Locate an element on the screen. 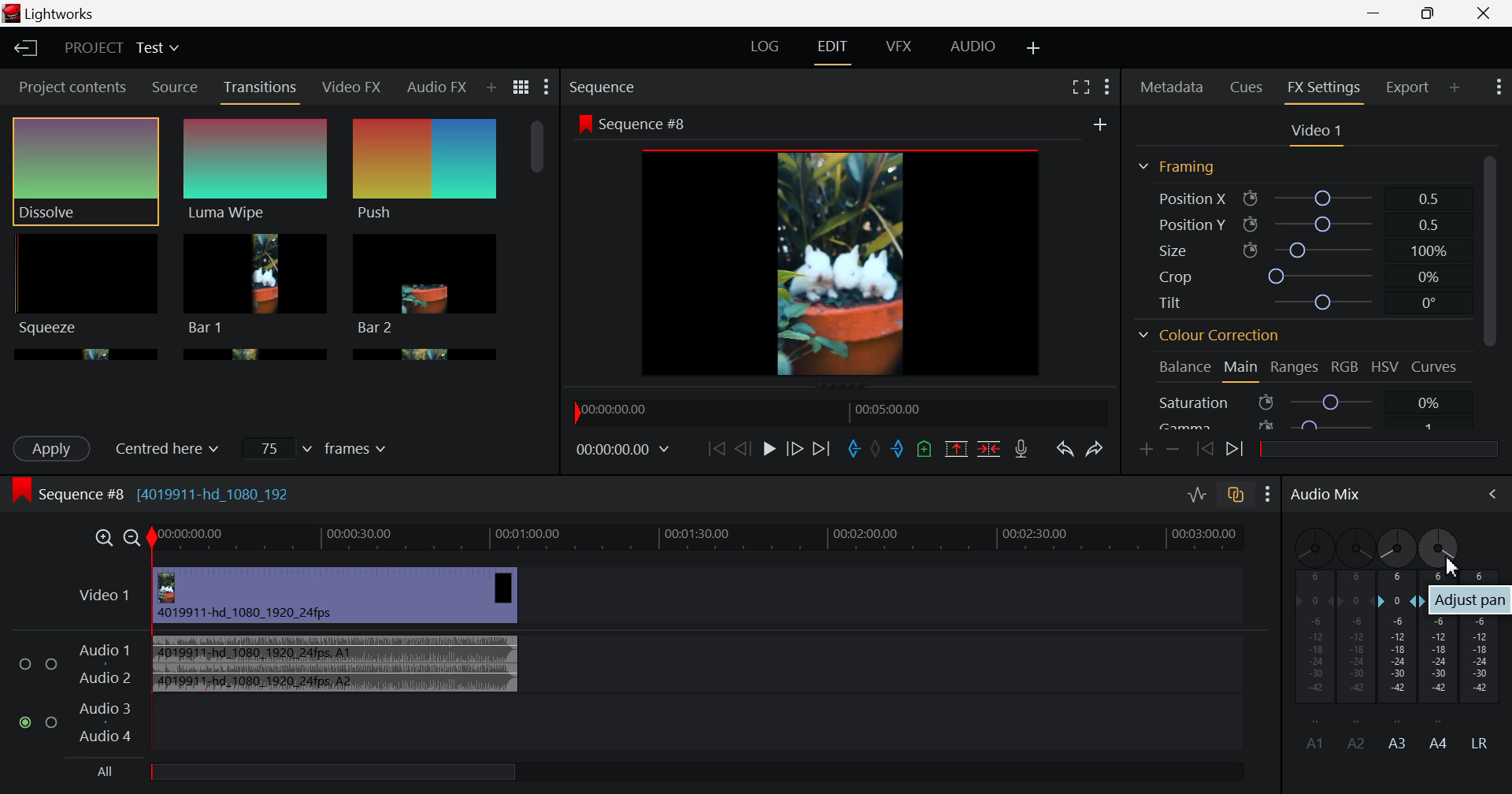 The image size is (1512, 794). Back to Homepage is located at coordinates (23, 46).